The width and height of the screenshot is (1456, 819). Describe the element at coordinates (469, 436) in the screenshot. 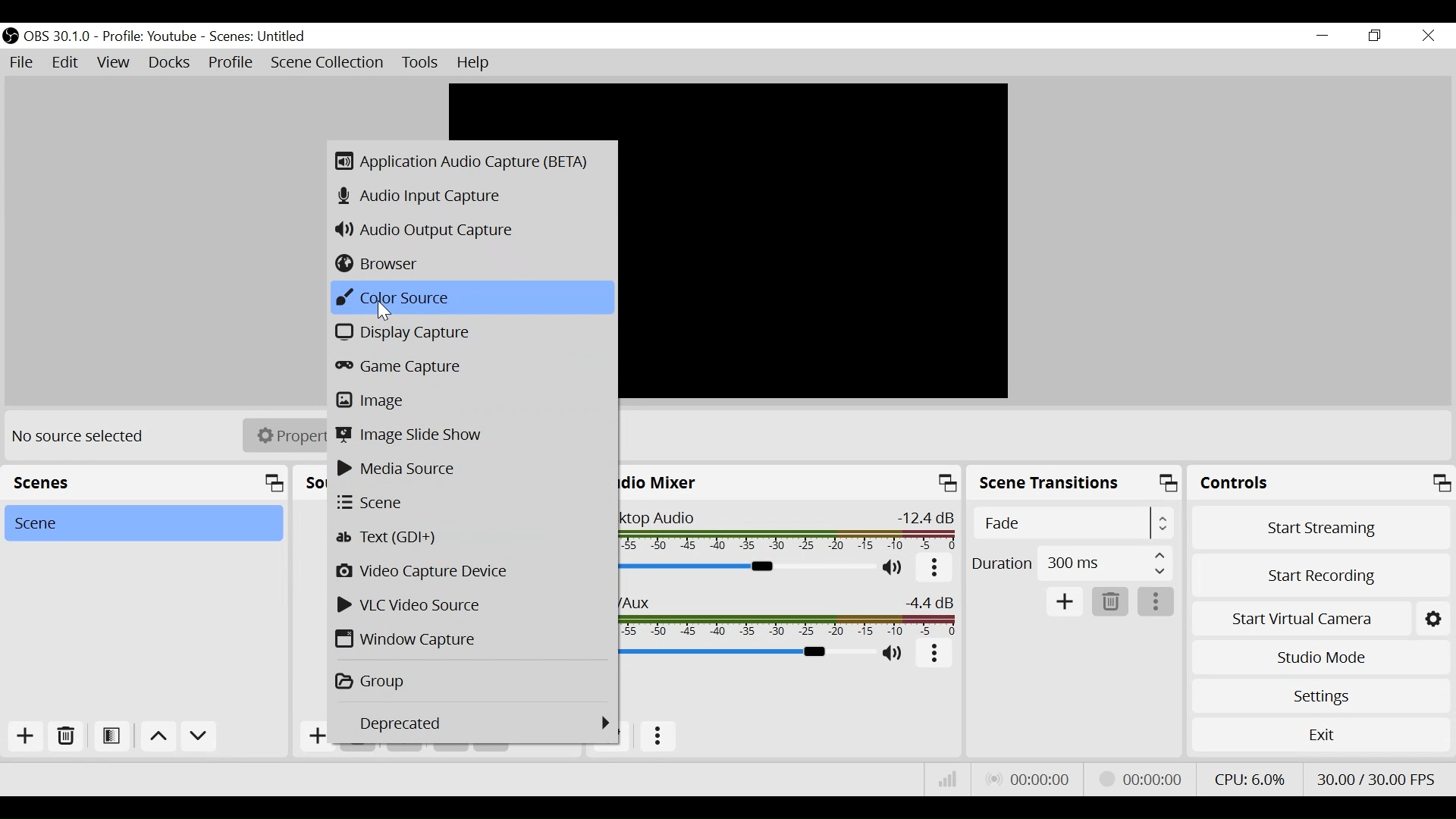

I see `Image Slide Show` at that location.